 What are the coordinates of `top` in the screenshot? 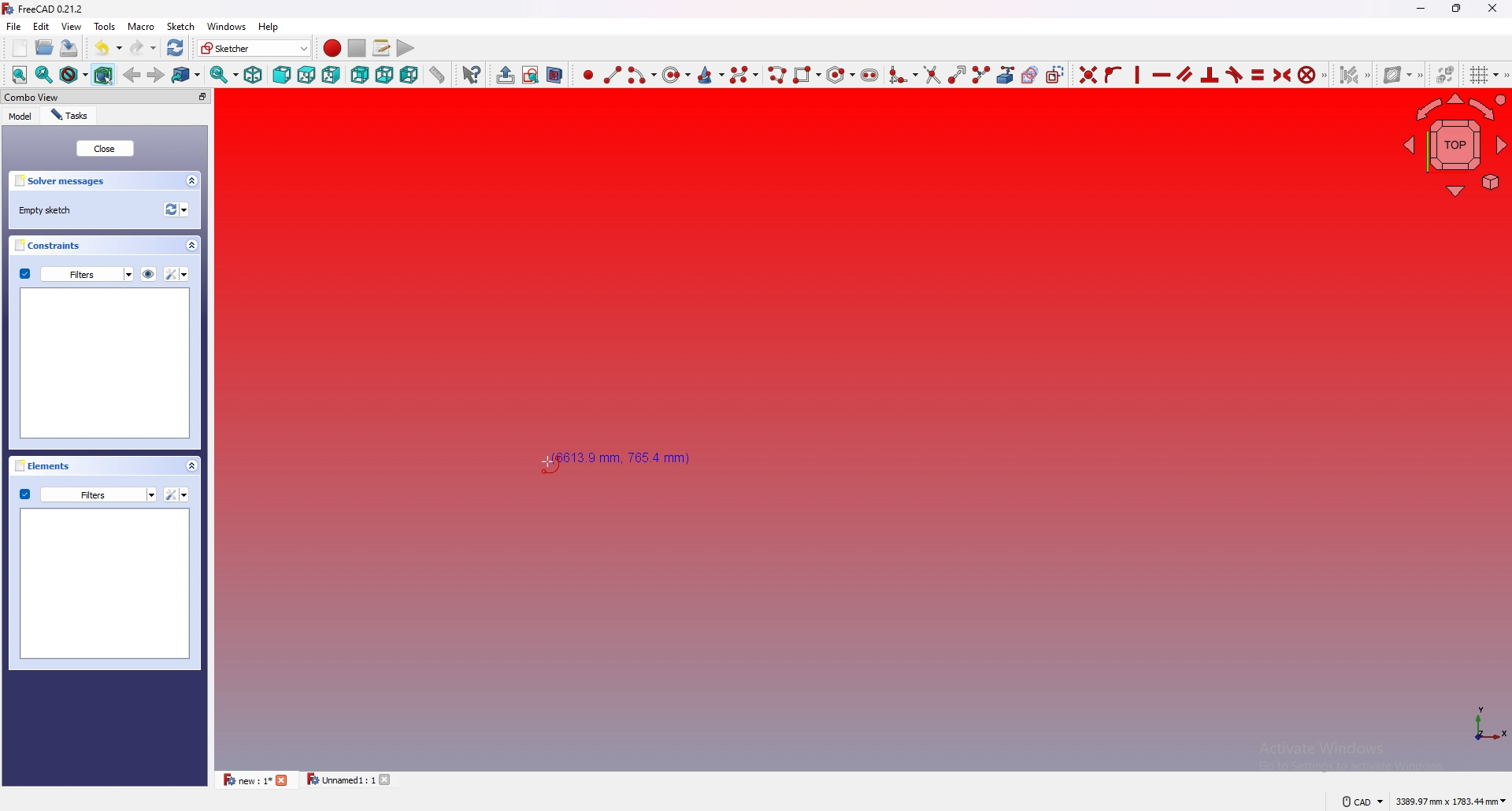 It's located at (306, 75).